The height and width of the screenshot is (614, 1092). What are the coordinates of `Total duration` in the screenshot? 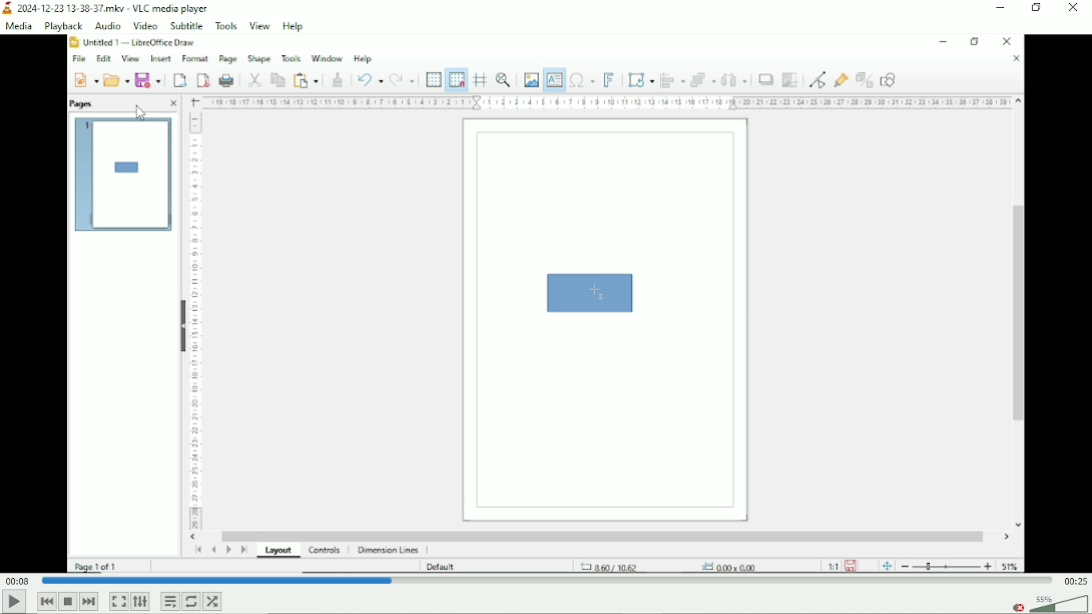 It's located at (1074, 580).